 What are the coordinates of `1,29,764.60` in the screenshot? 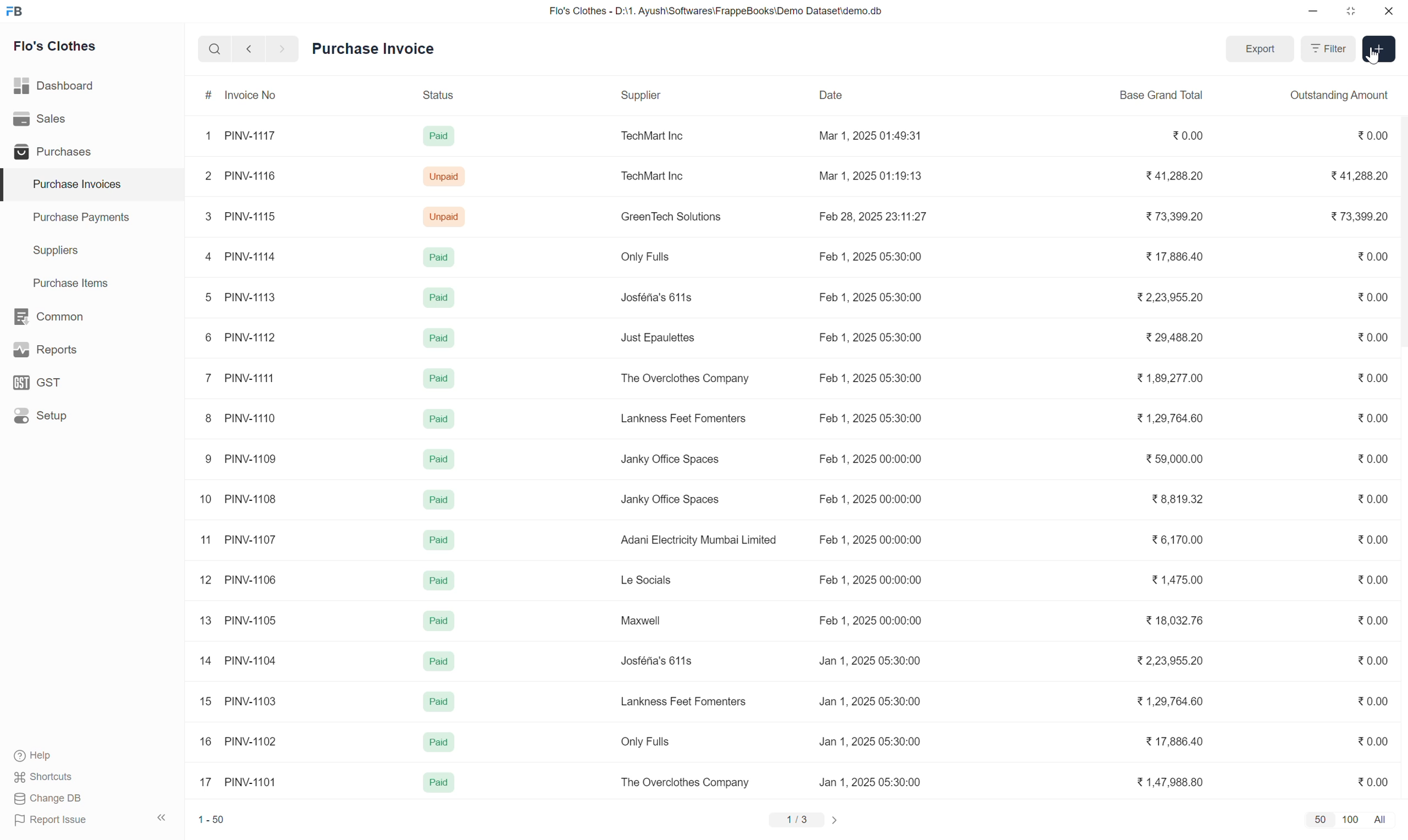 It's located at (1167, 701).